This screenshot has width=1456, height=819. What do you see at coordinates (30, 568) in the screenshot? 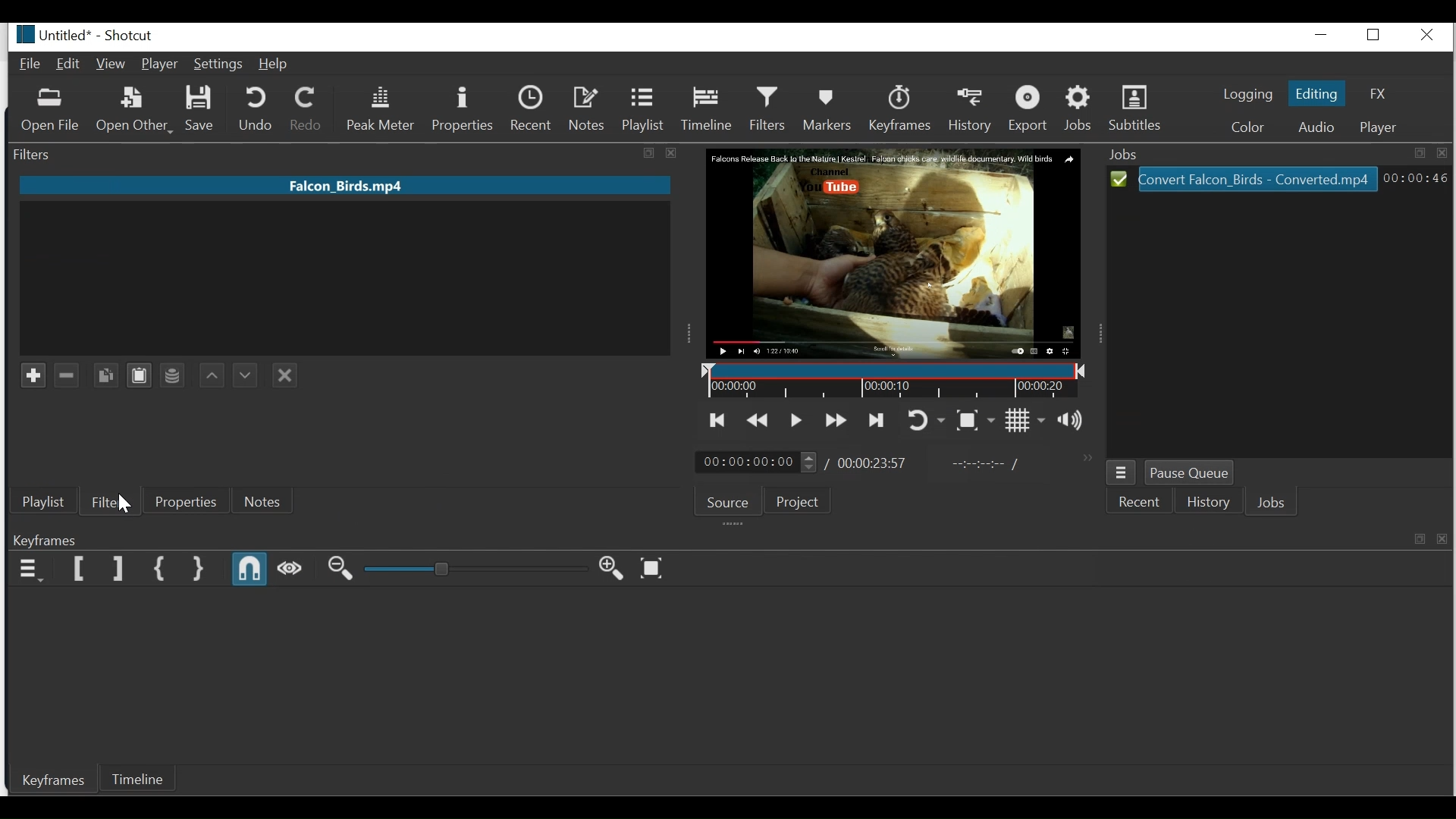
I see `Keyframe menu` at bounding box center [30, 568].